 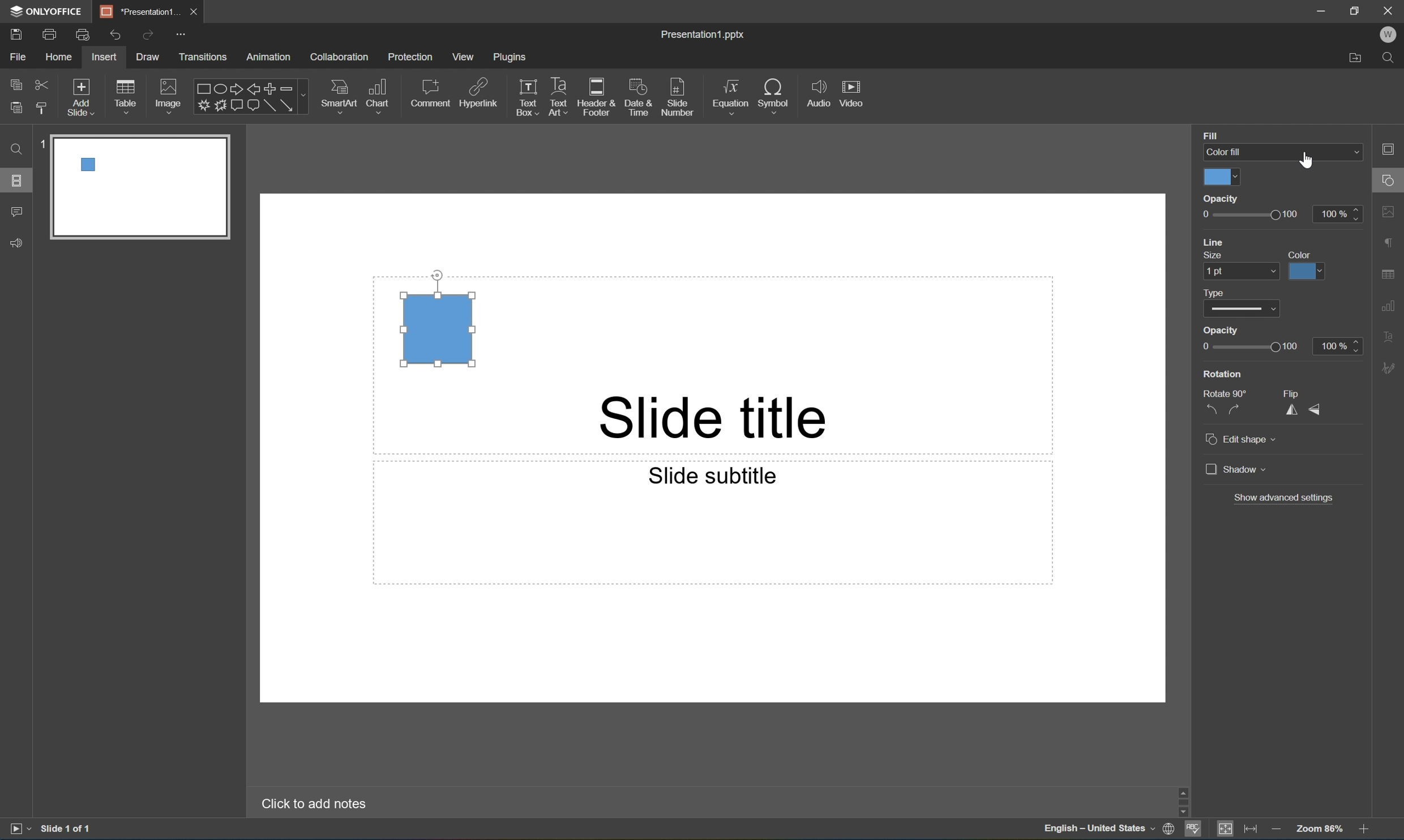 What do you see at coordinates (338, 94) in the screenshot?
I see `SmartArt` at bounding box center [338, 94].